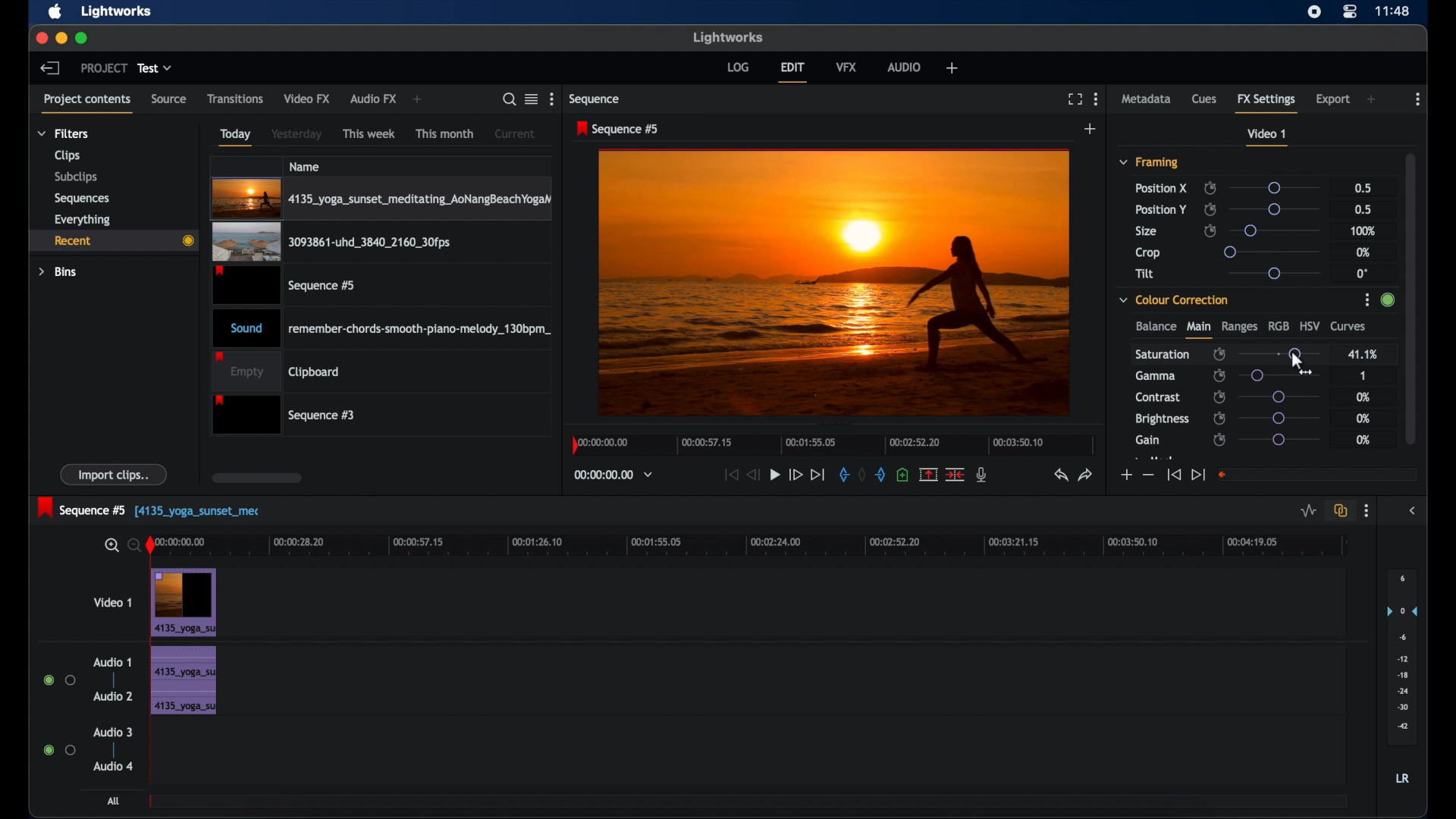 The image size is (1456, 819). What do you see at coordinates (1279, 440) in the screenshot?
I see `slider` at bounding box center [1279, 440].